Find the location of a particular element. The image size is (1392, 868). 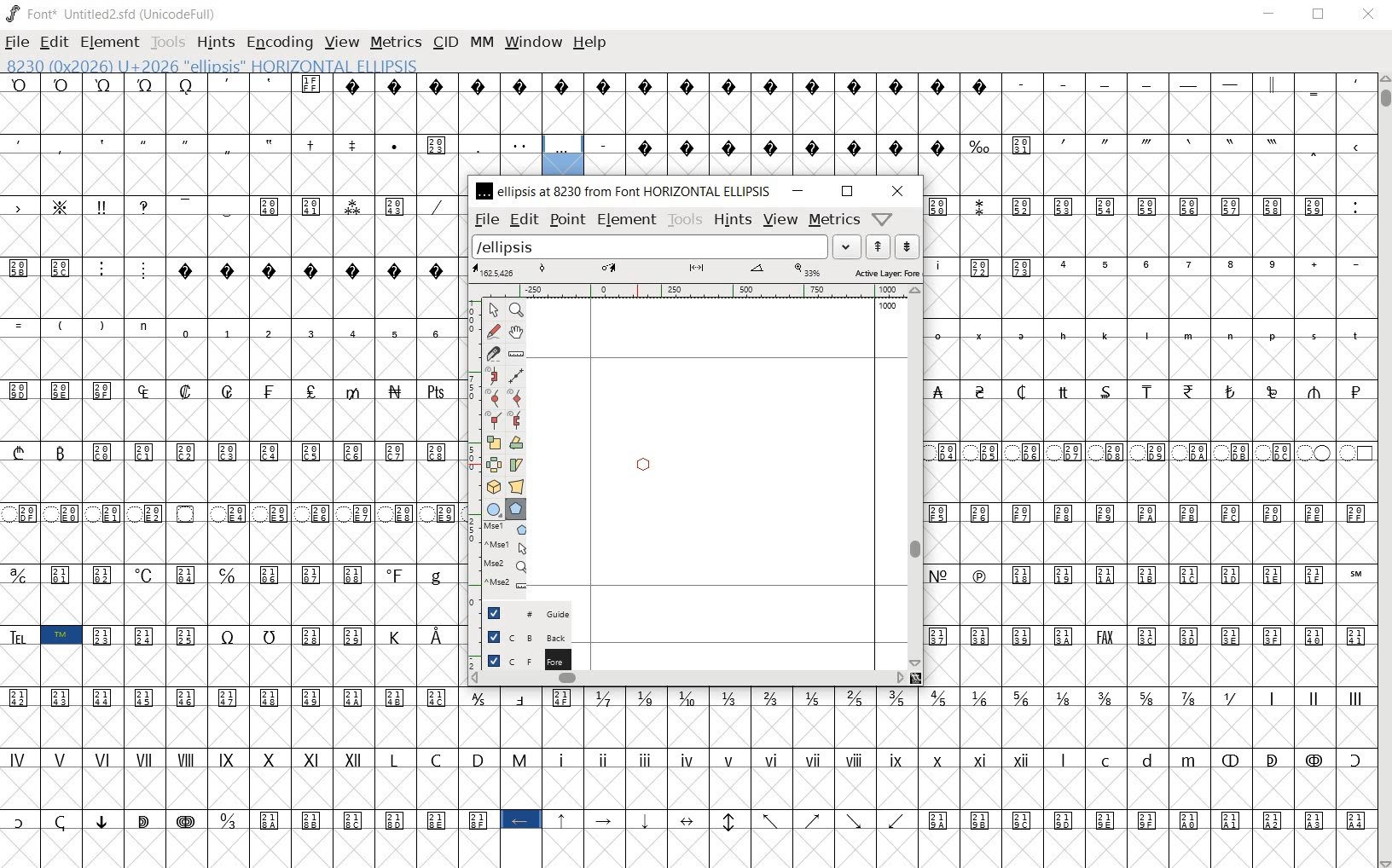

TOOLS is located at coordinates (169, 42).